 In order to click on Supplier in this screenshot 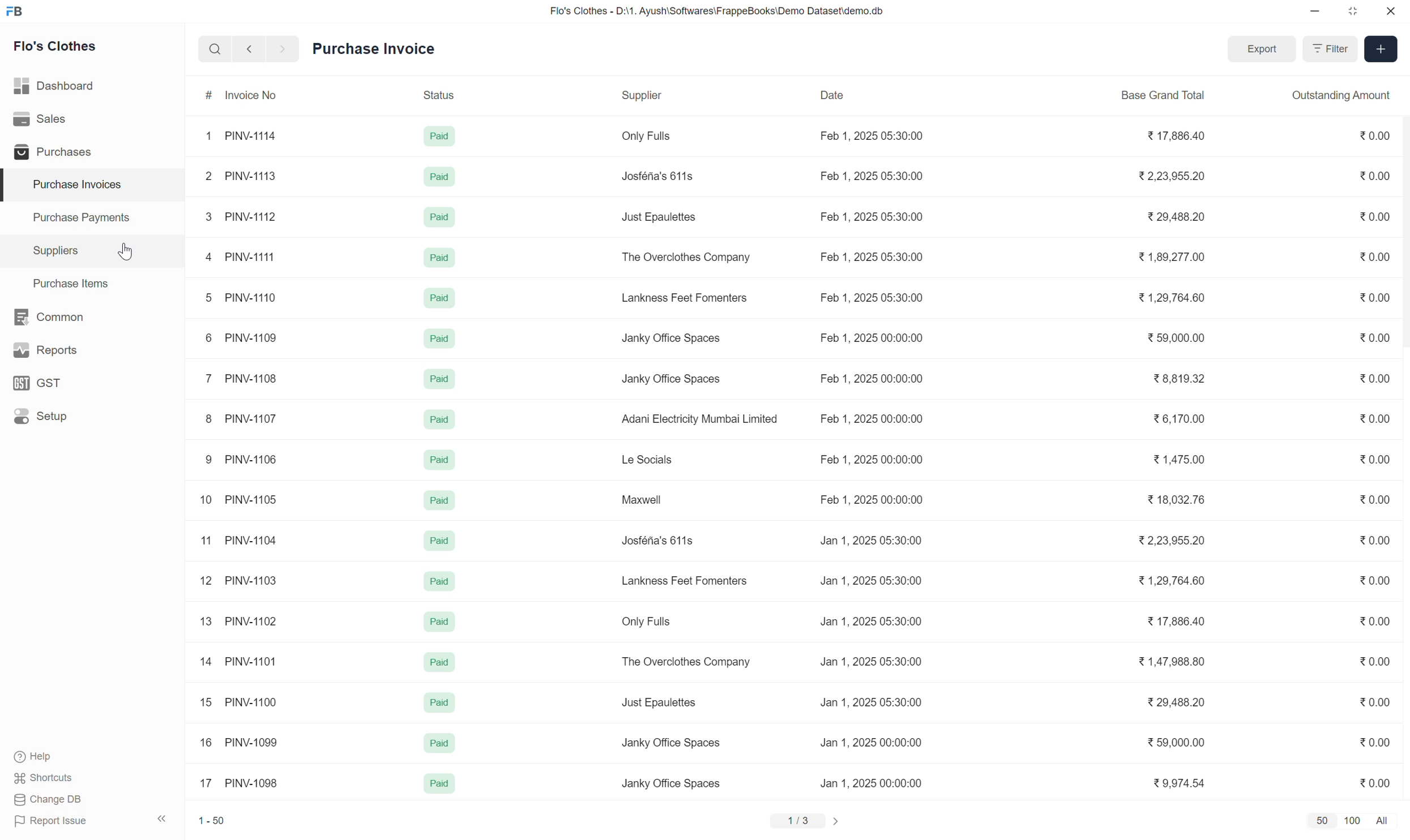, I will do `click(707, 95)`.